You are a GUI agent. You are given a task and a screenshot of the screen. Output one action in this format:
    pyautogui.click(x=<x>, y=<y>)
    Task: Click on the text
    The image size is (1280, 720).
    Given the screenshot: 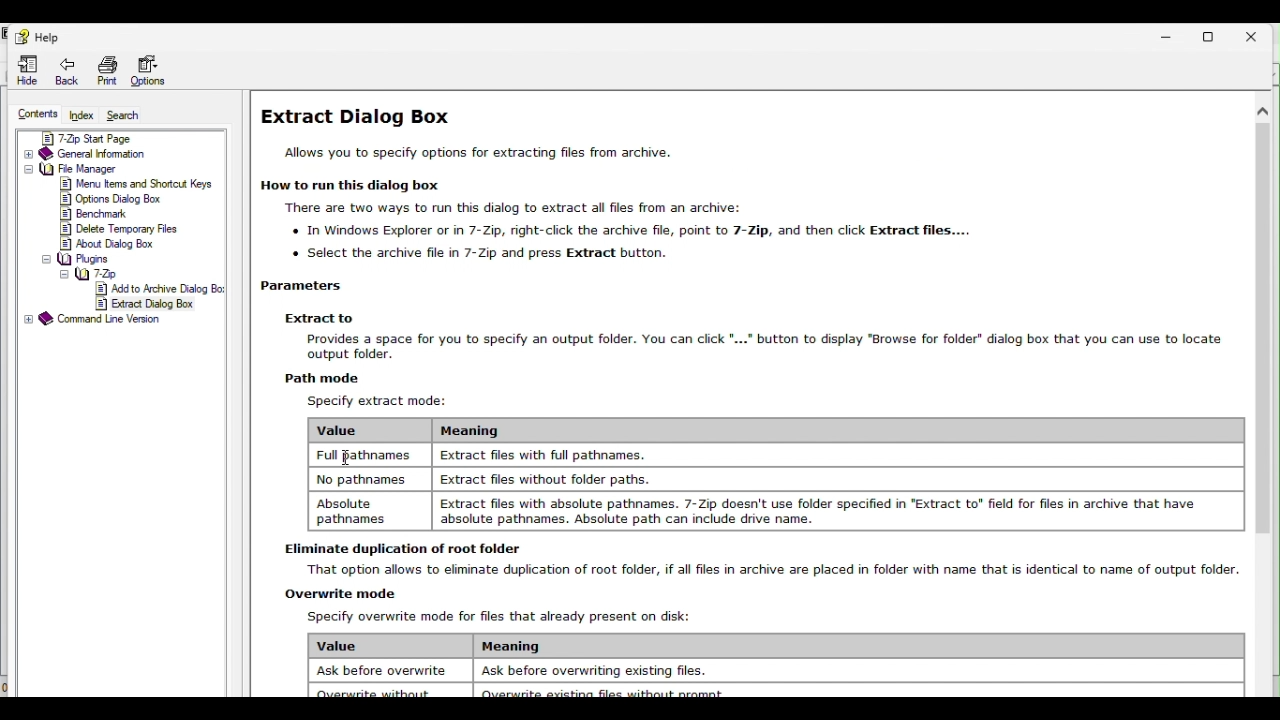 What is the action you would take?
    pyautogui.click(x=620, y=231)
    